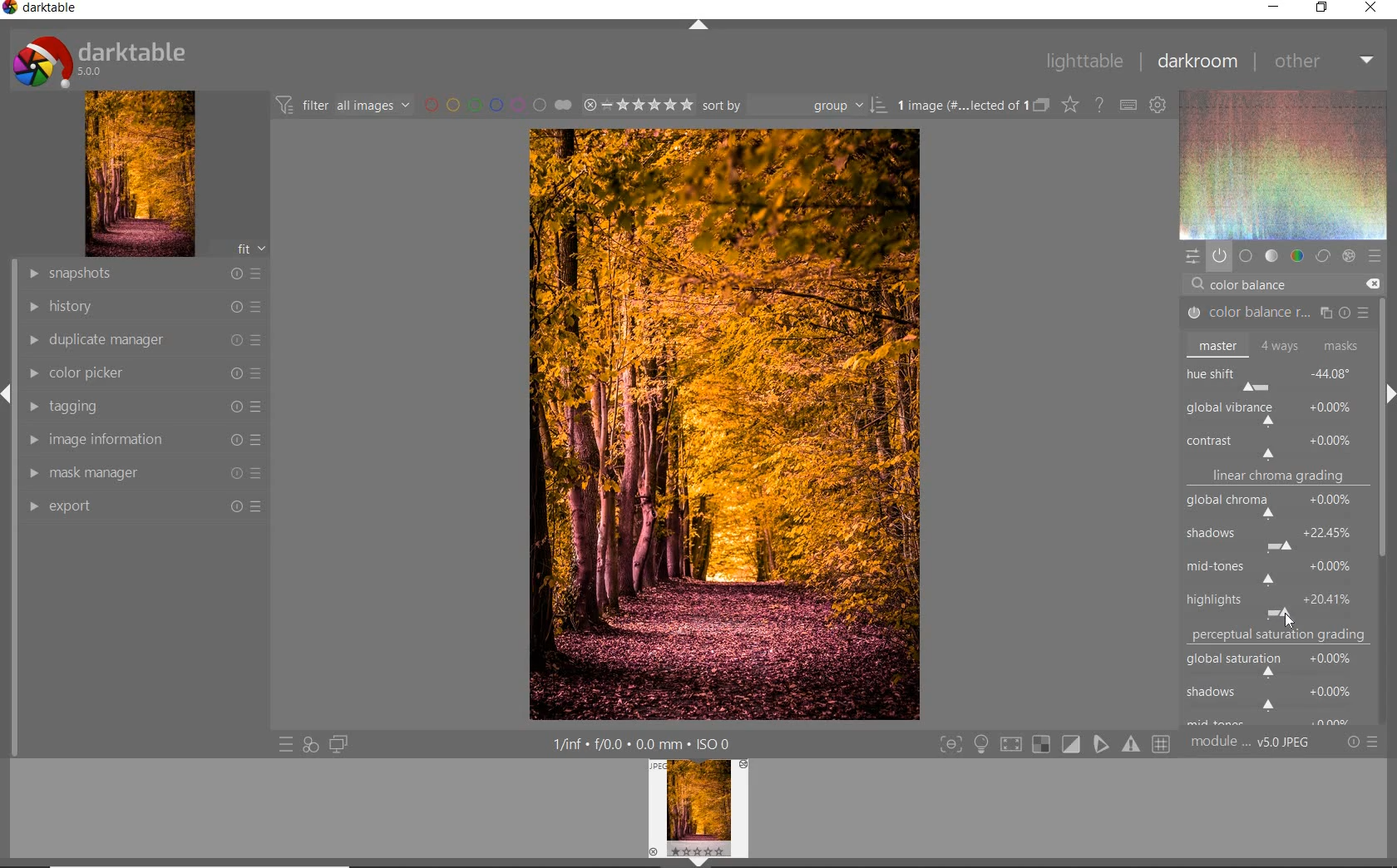 The width and height of the screenshot is (1397, 868). Describe the element at coordinates (1279, 508) in the screenshot. I see `global chroma` at that location.